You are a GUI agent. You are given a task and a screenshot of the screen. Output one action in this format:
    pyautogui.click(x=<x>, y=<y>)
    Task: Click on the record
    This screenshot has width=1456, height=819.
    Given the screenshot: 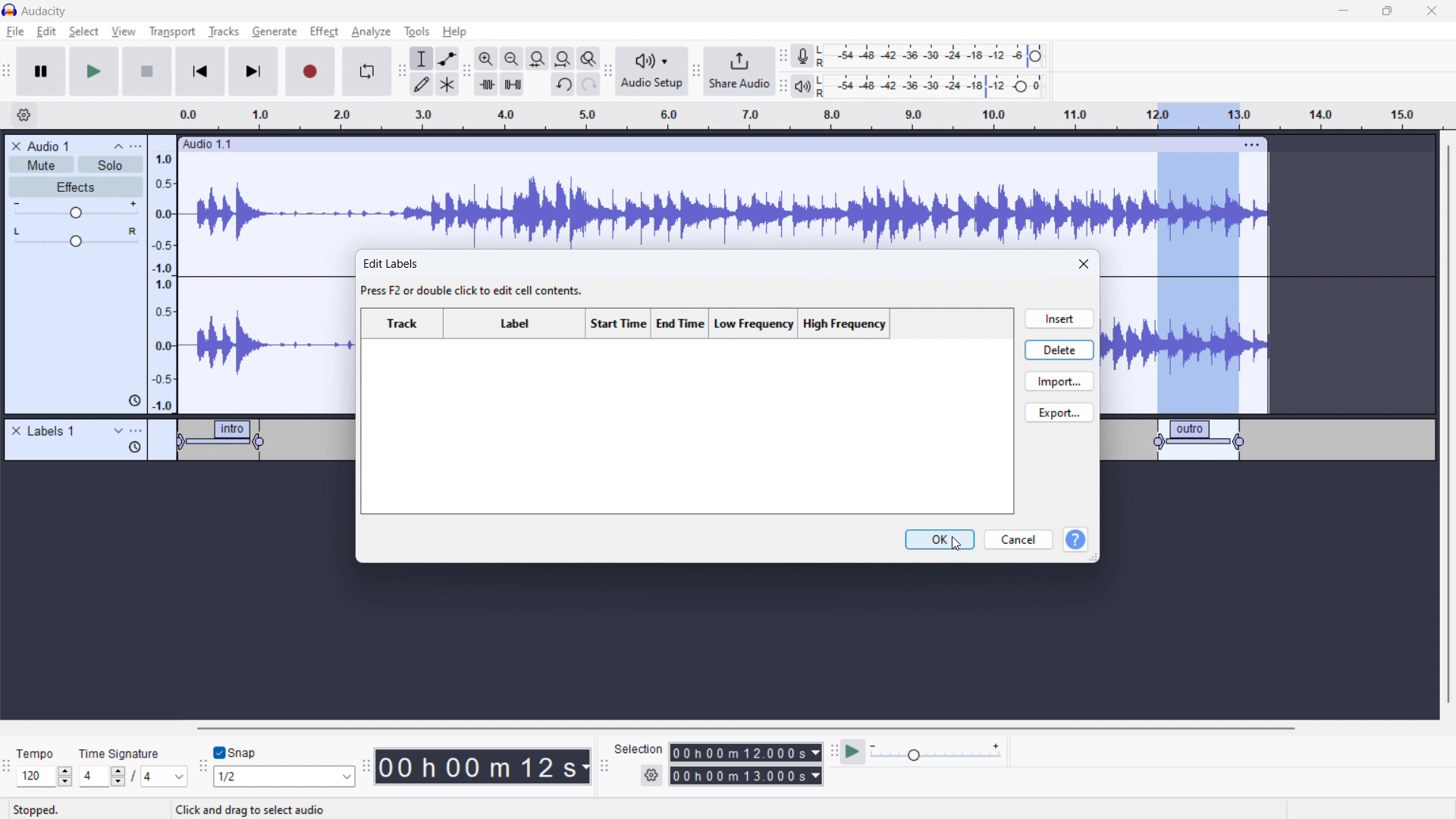 What is the action you would take?
    pyautogui.click(x=311, y=71)
    